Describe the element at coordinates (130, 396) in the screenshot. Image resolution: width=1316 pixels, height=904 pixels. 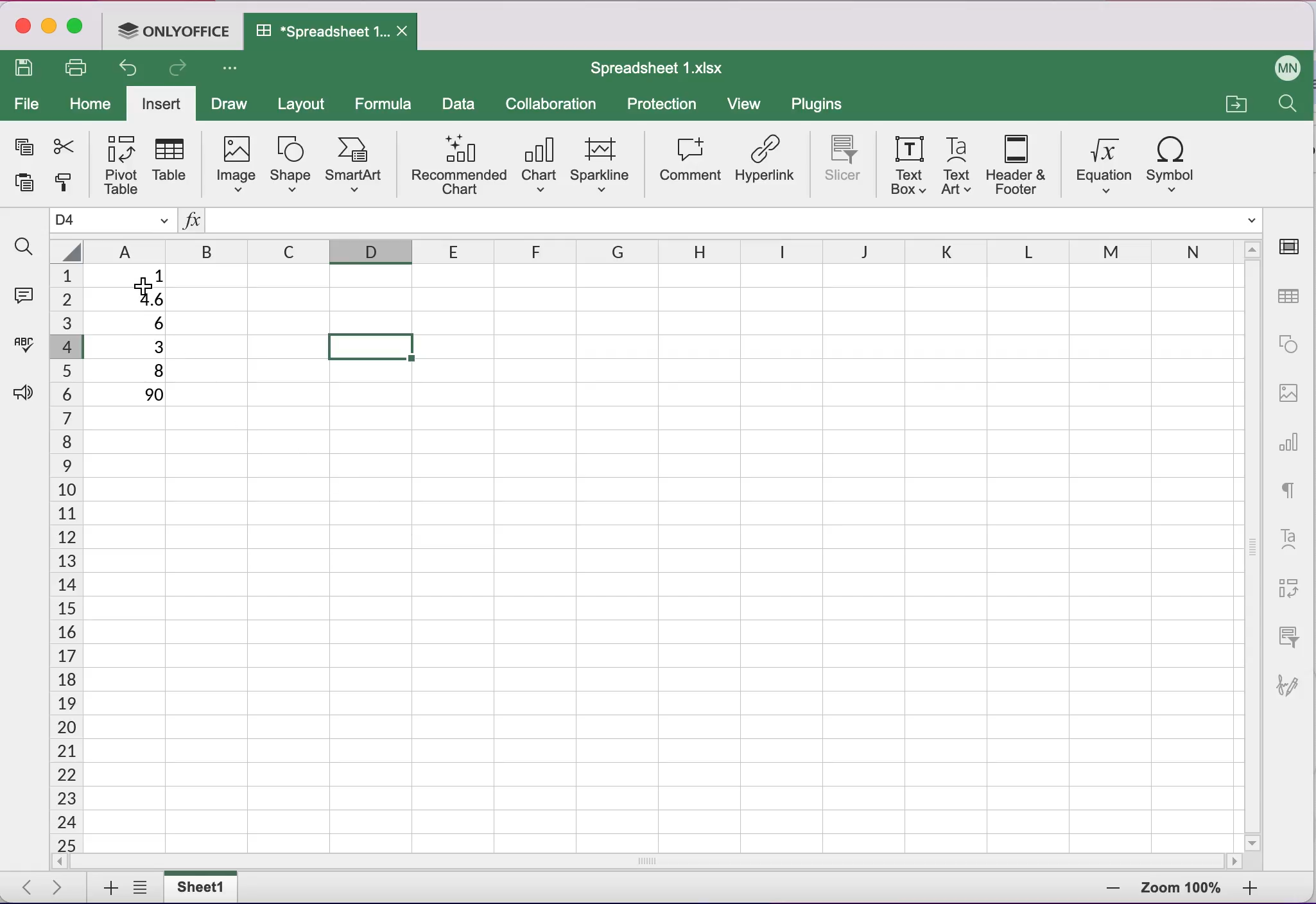
I see `90` at that location.